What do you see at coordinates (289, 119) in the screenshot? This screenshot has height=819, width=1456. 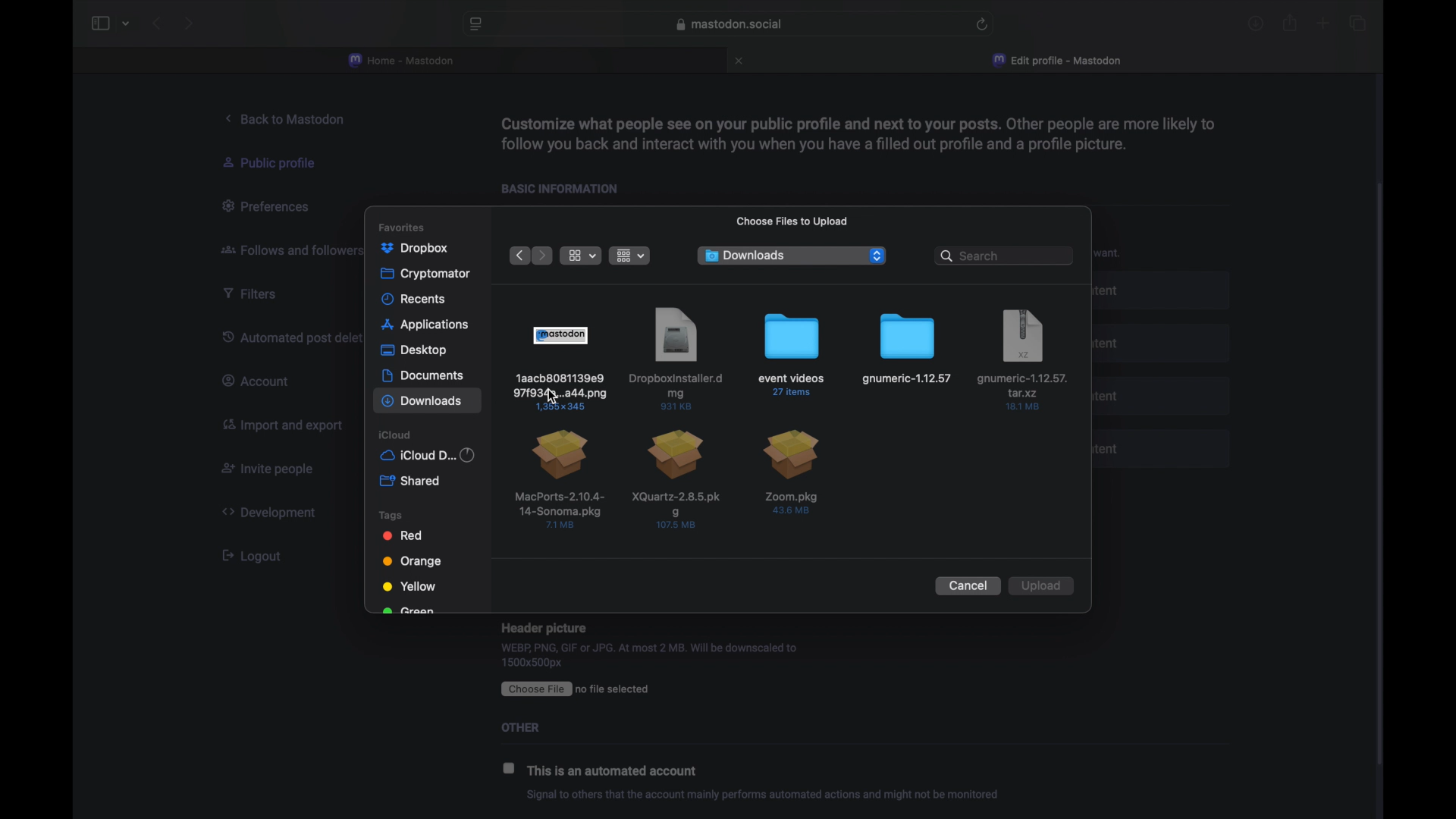 I see `back to mastodon` at bounding box center [289, 119].